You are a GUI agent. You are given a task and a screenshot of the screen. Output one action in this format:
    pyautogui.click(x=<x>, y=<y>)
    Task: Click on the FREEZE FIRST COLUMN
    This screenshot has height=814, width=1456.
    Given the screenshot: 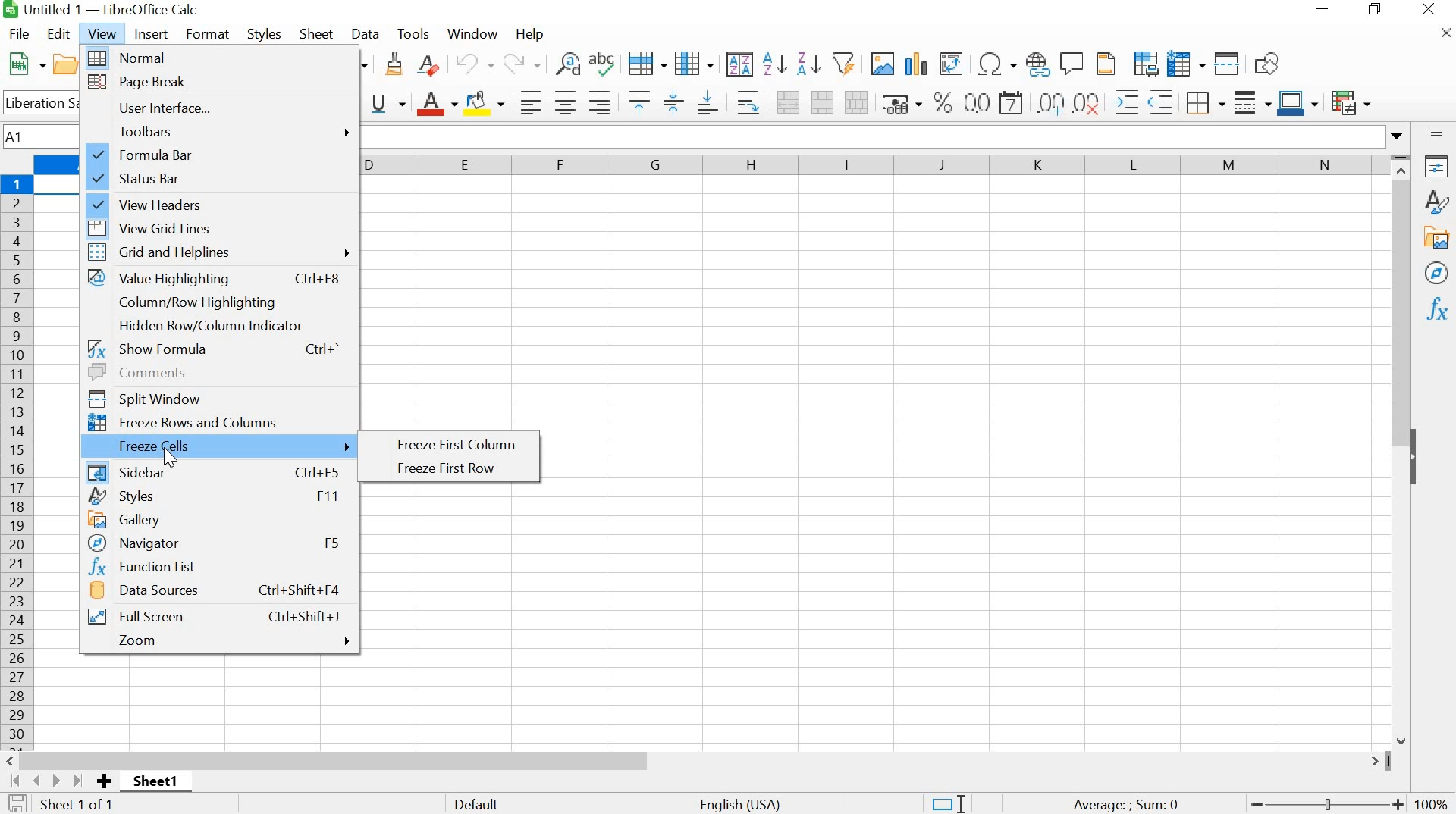 What is the action you would take?
    pyautogui.click(x=459, y=446)
    